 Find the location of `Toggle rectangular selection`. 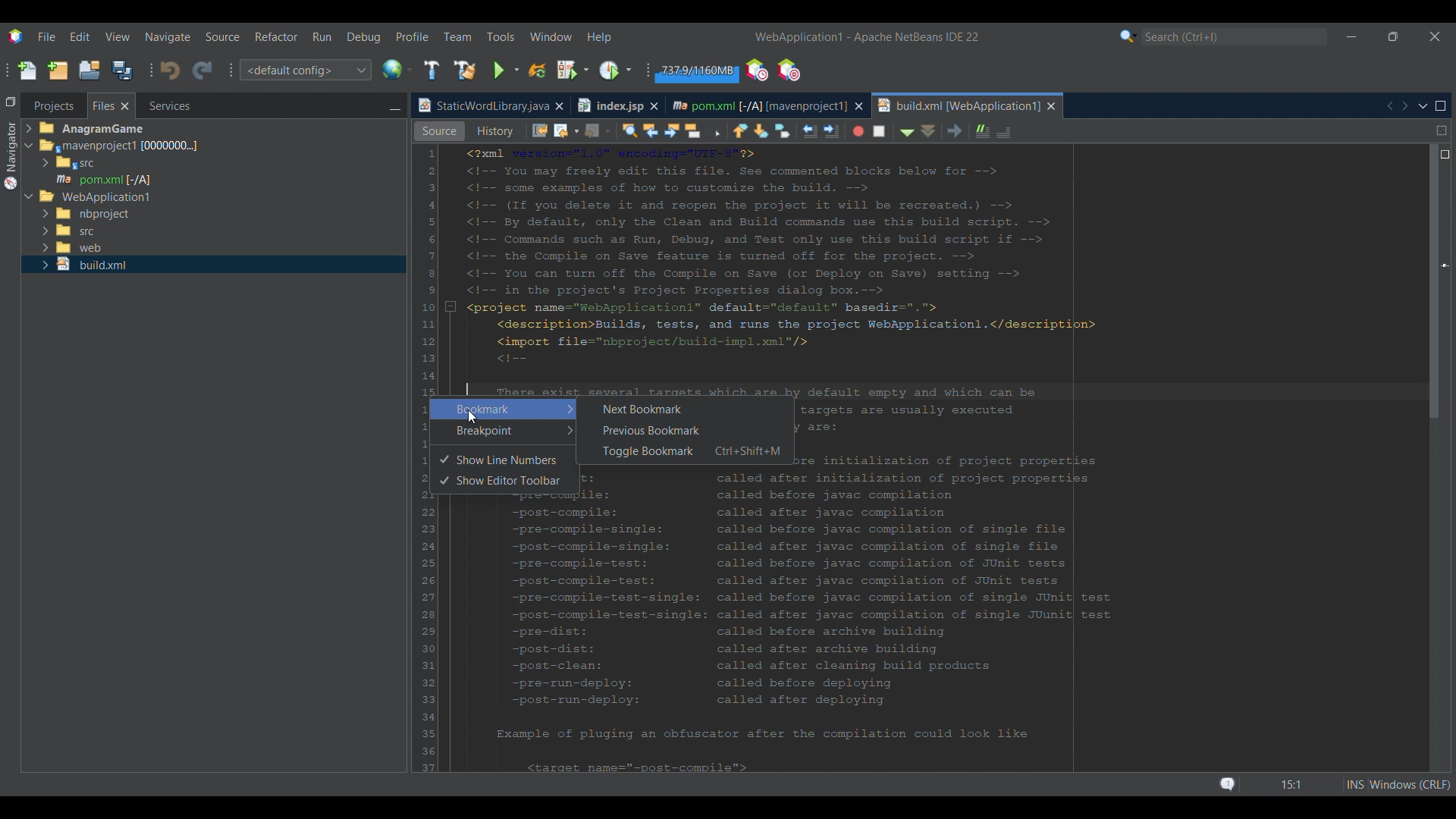

Toggle rectangular selection is located at coordinates (852, 132).